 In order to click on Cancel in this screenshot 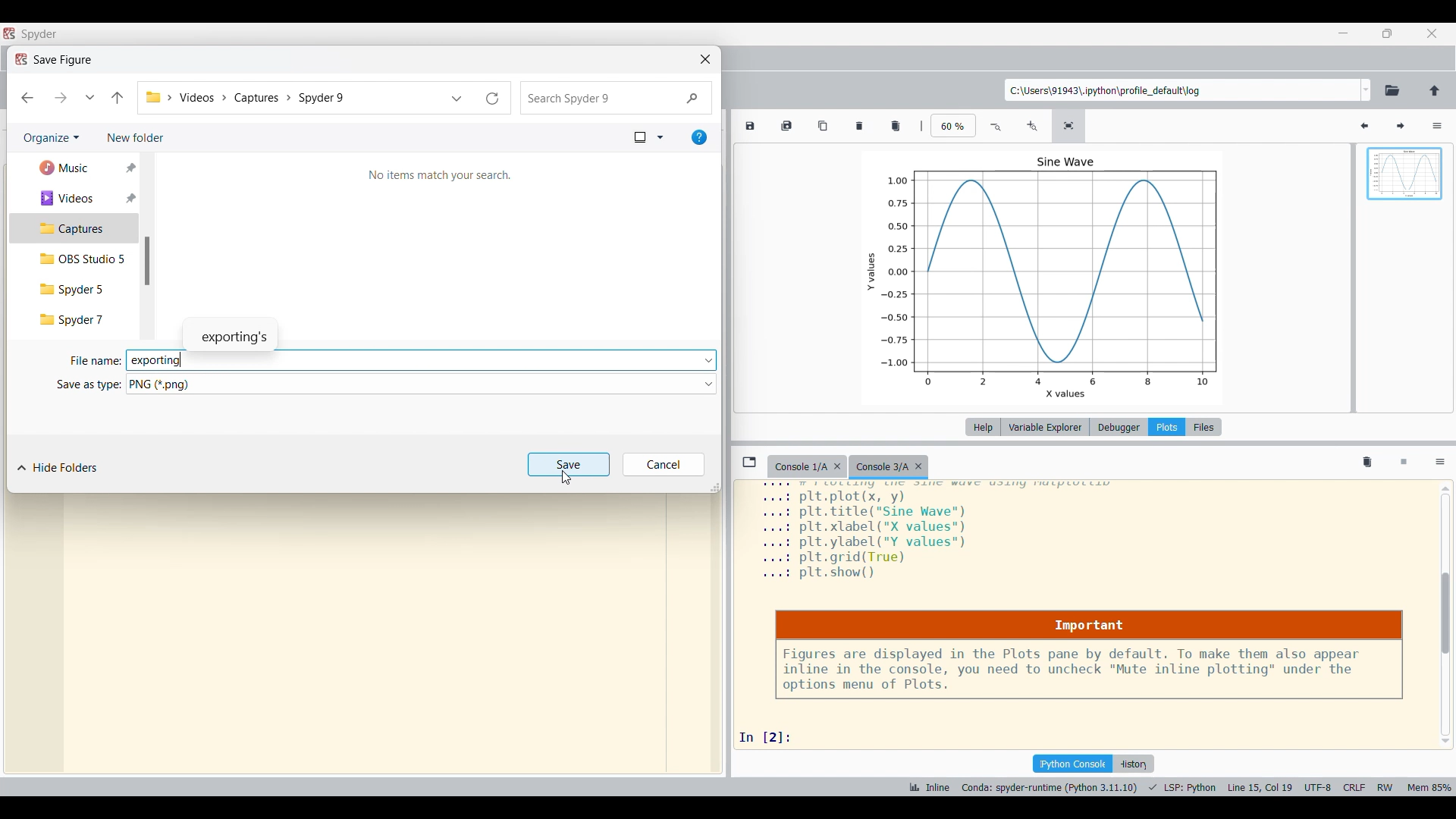, I will do `click(664, 464)`.